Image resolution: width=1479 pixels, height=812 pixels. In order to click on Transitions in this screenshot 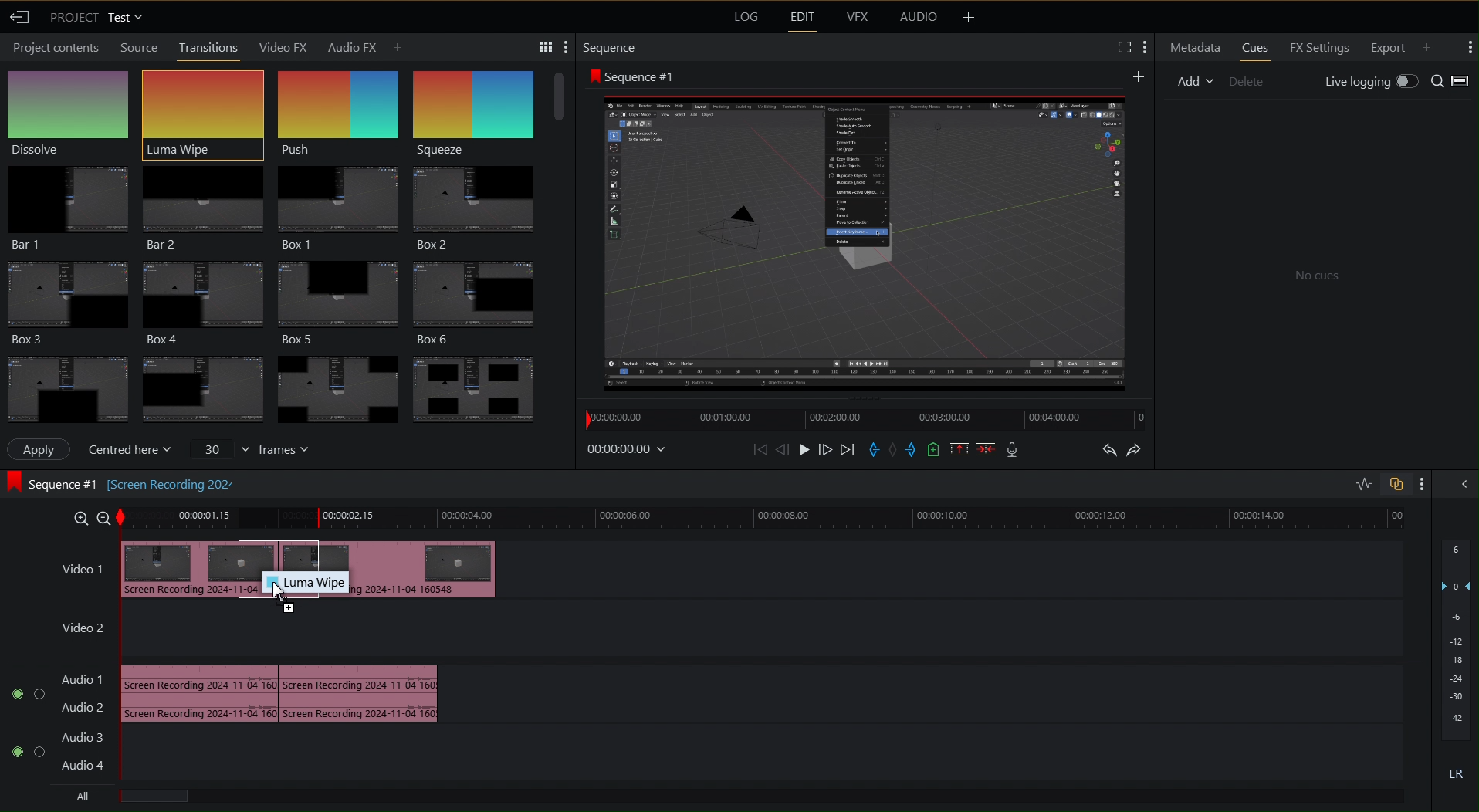, I will do `click(208, 47)`.